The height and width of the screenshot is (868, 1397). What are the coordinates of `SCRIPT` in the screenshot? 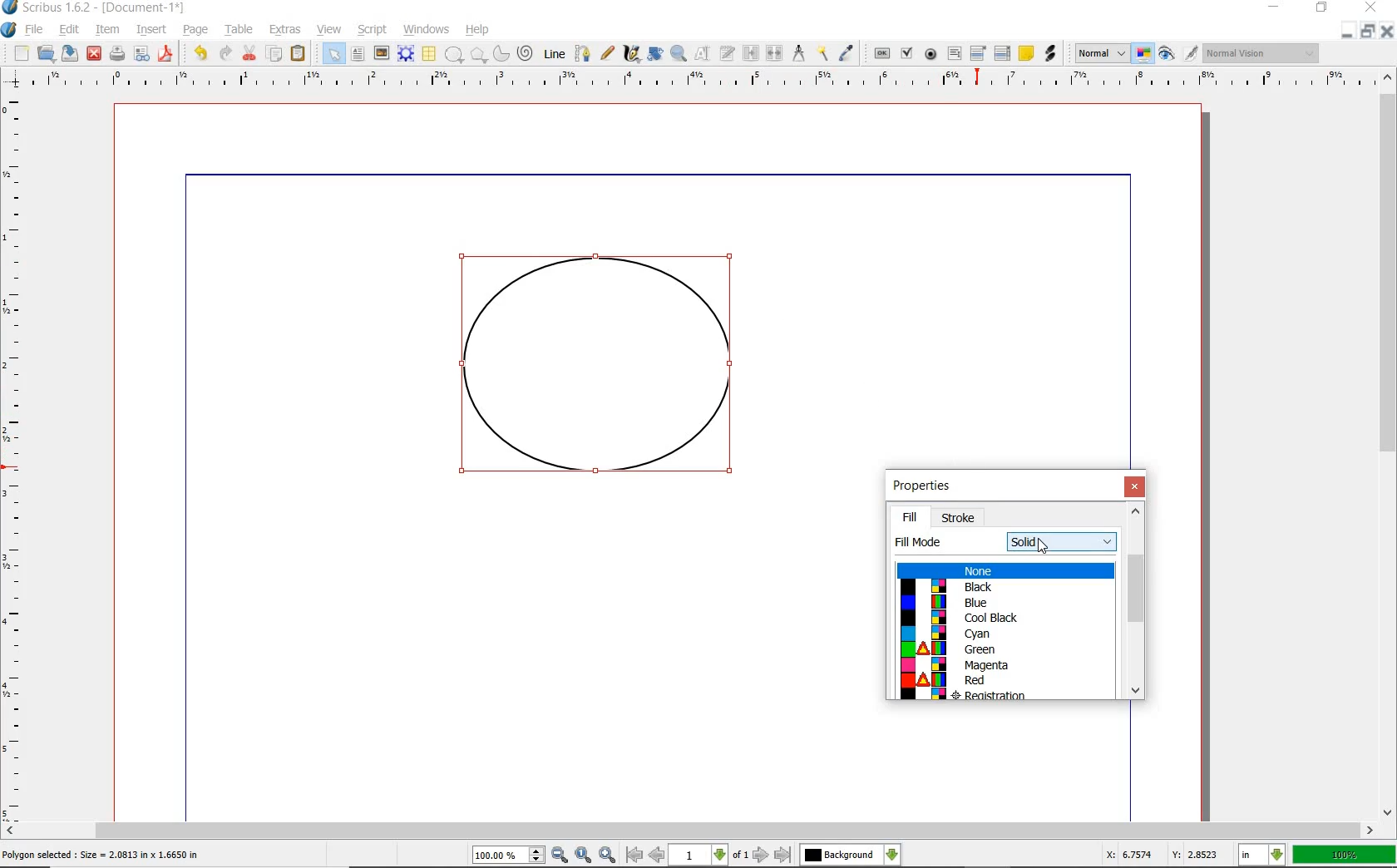 It's located at (370, 28).